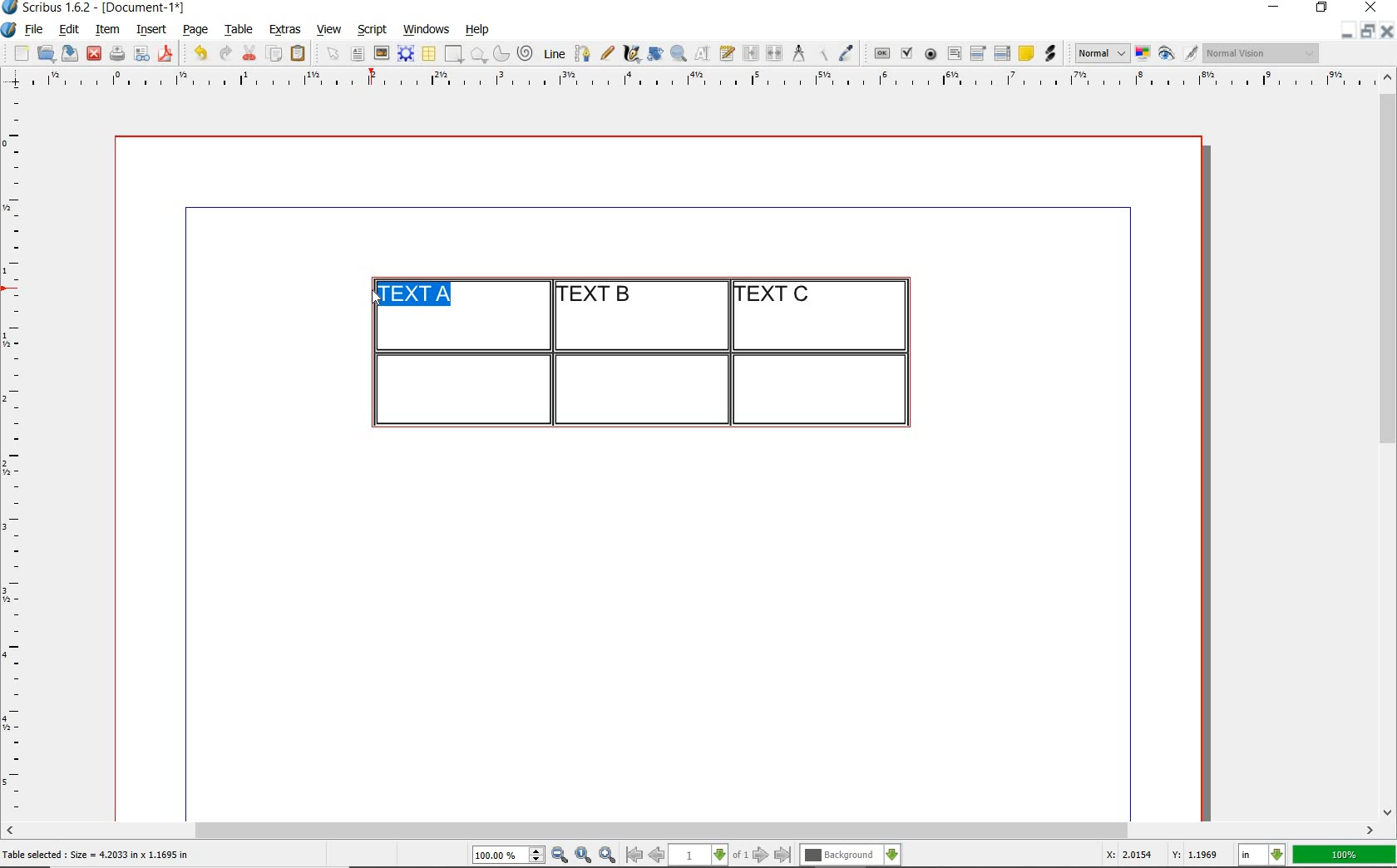 Image resolution: width=1397 pixels, height=868 pixels. Describe the element at coordinates (10, 30) in the screenshot. I see `system logo` at that location.